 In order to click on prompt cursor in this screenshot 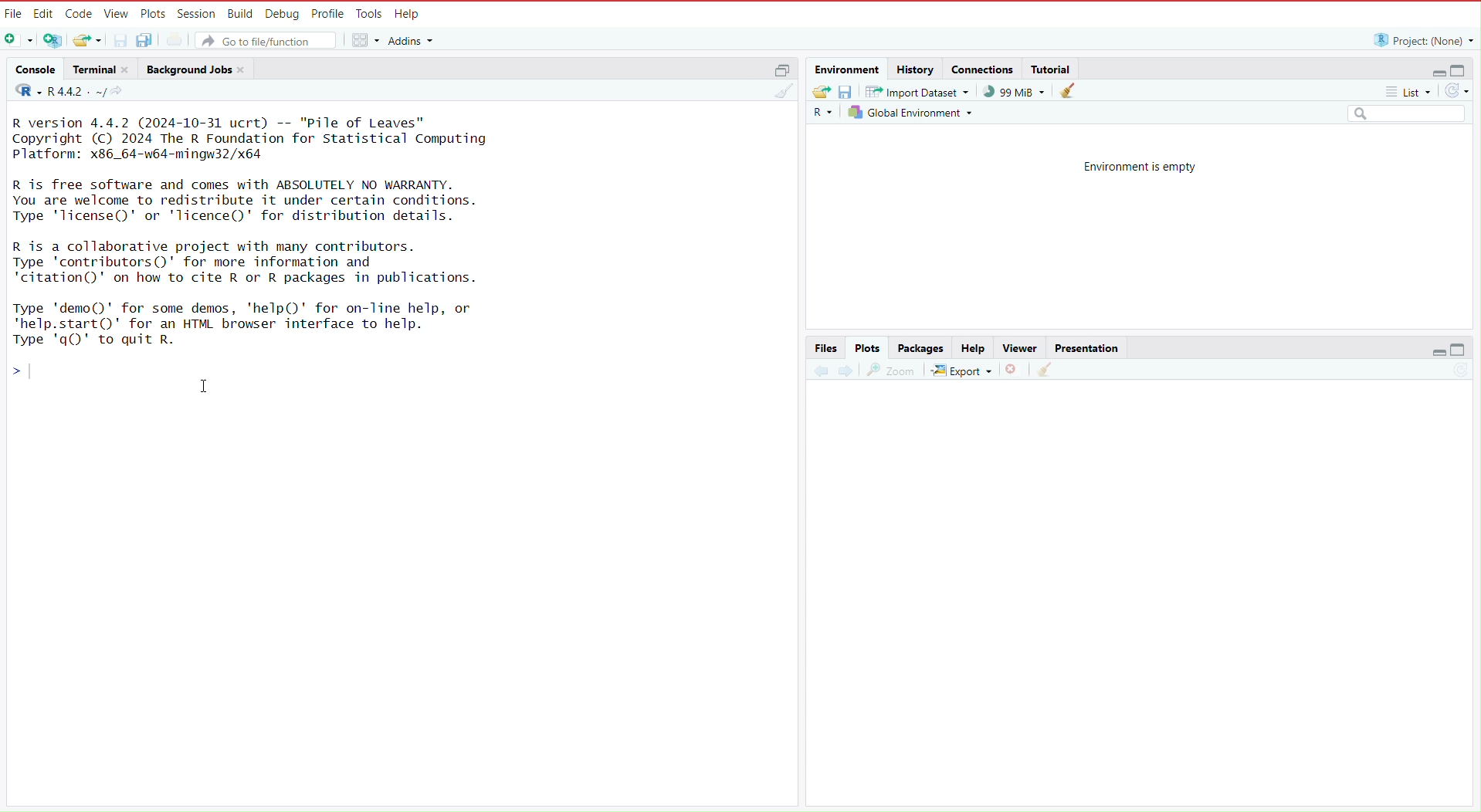, I will do `click(10, 370)`.